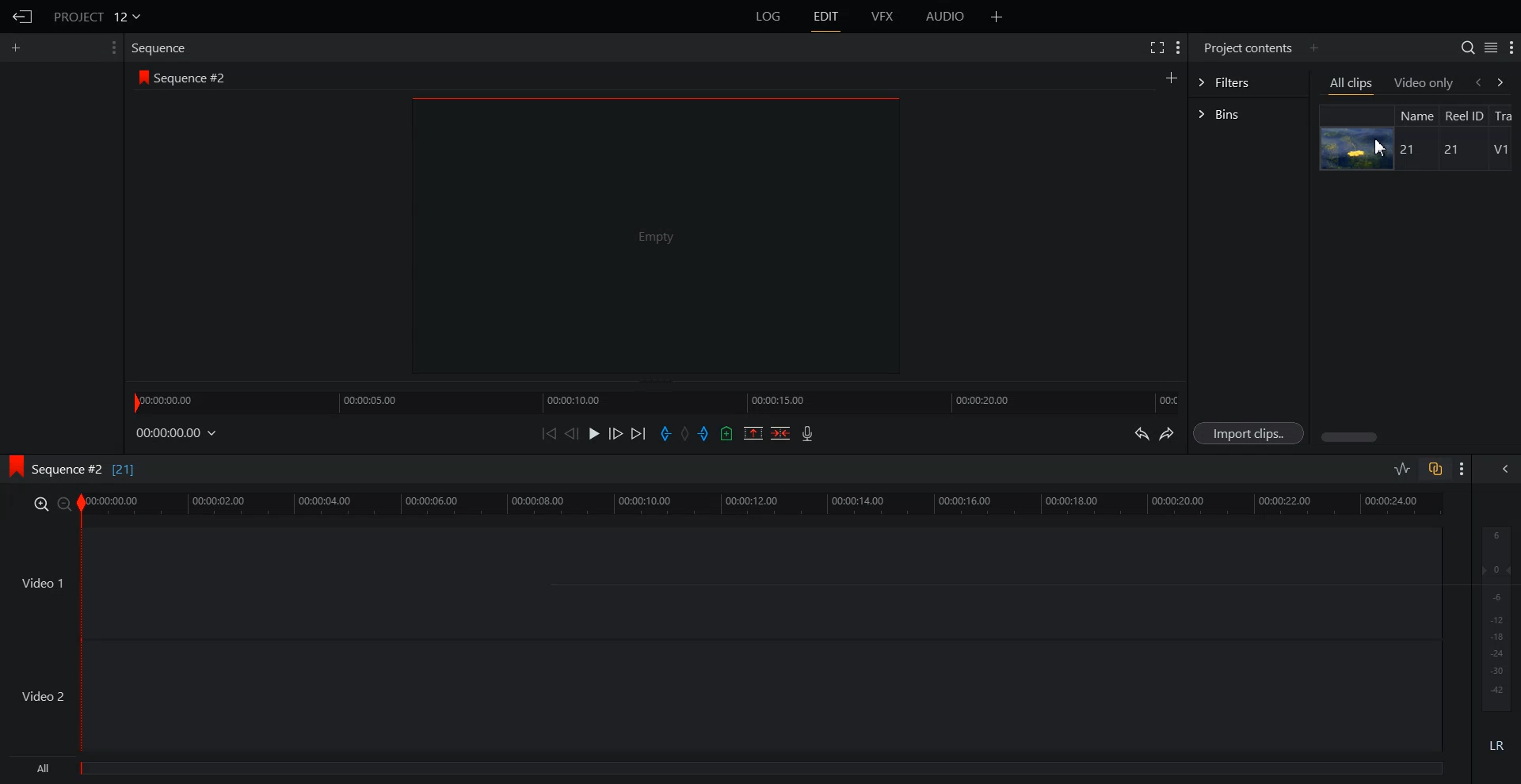 This screenshot has width=1521, height=784. What do you see at coordinates (1140, 432) in the screenshot?
I see `Undo` at bounding box center [1140, 432].